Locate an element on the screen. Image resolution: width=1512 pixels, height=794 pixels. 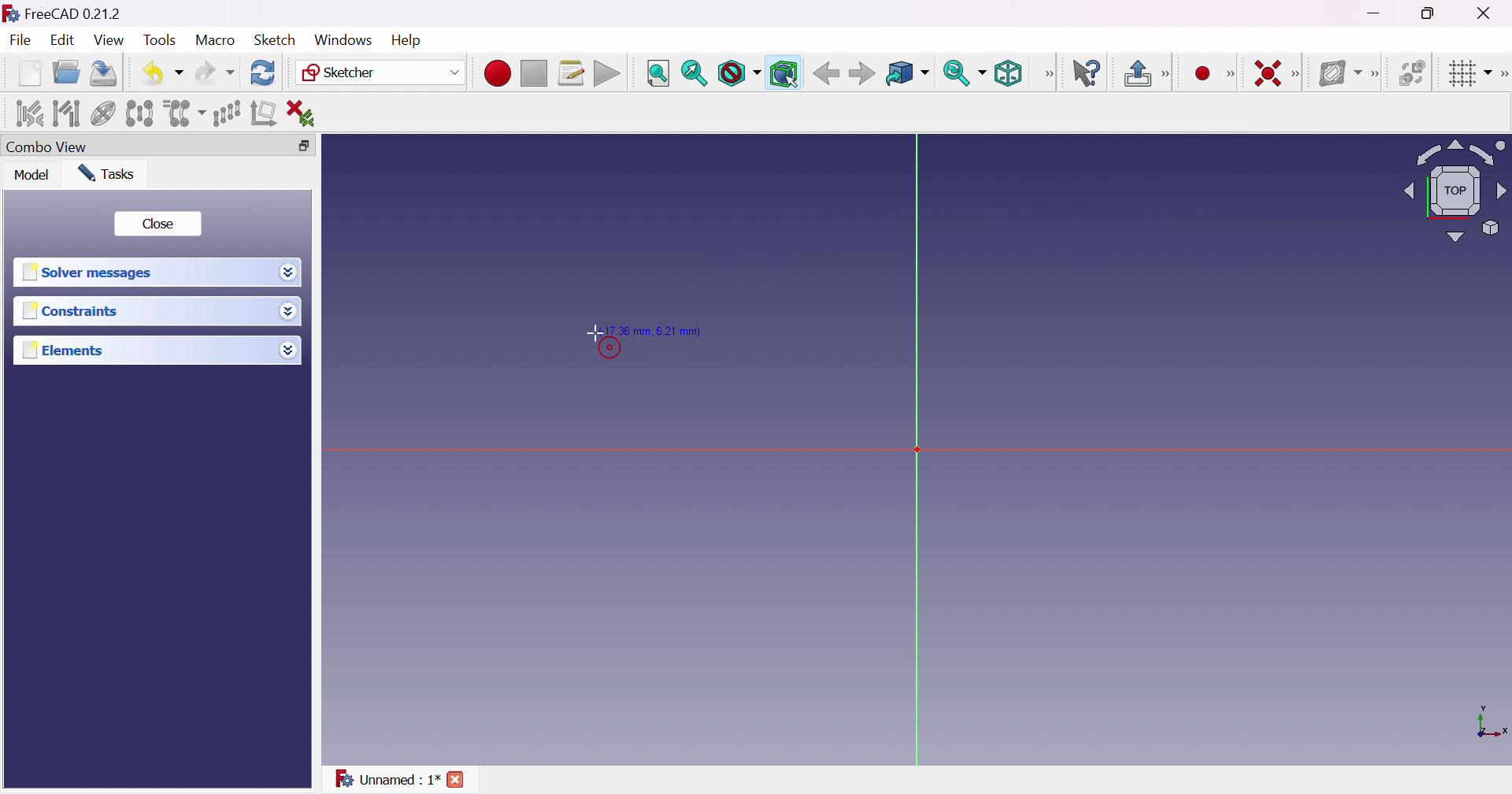
Close is located at coordinates (1492, 13).